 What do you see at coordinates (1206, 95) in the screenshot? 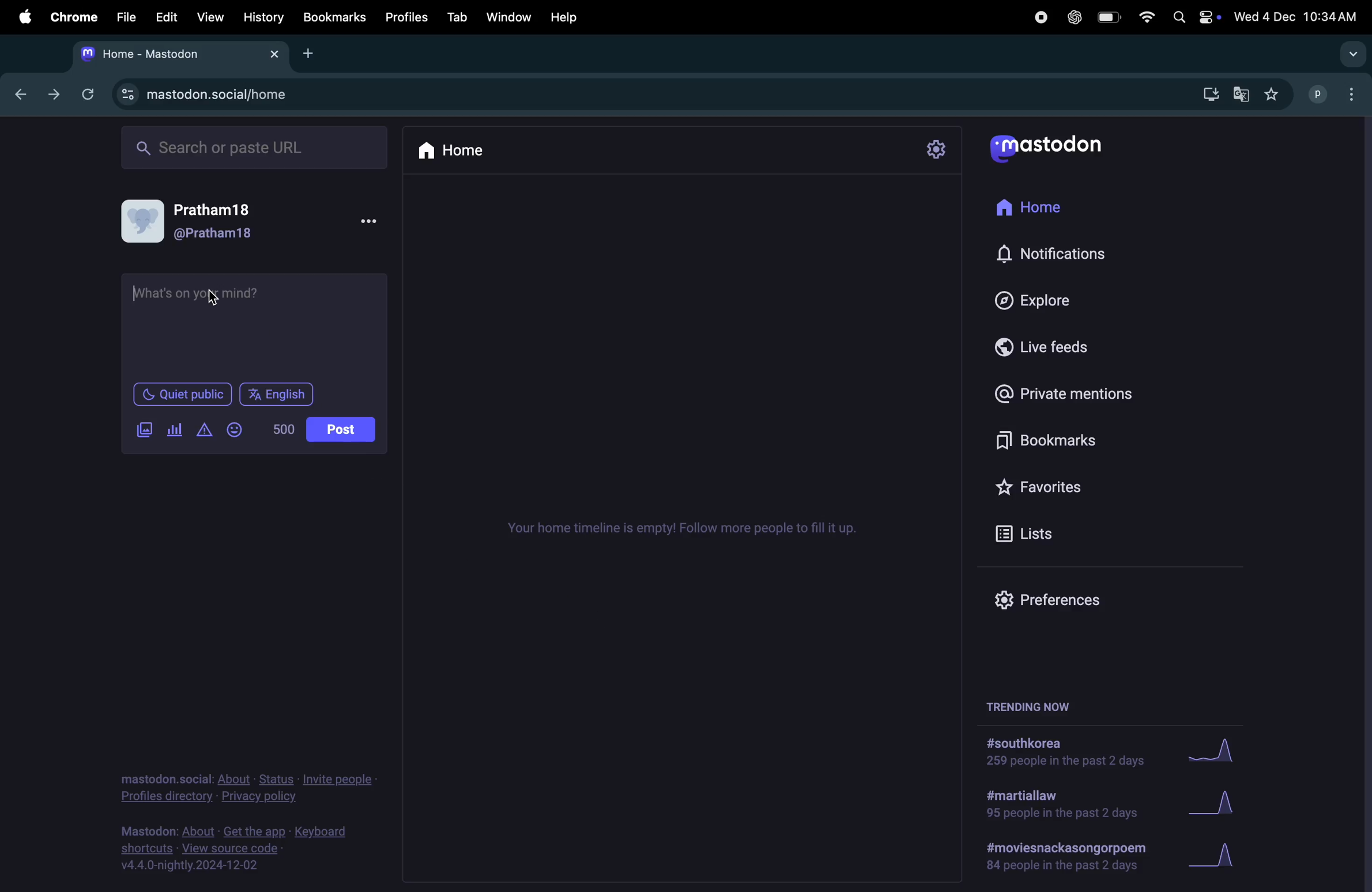
I see `download mastodon` at bounding box center [1206, 95].